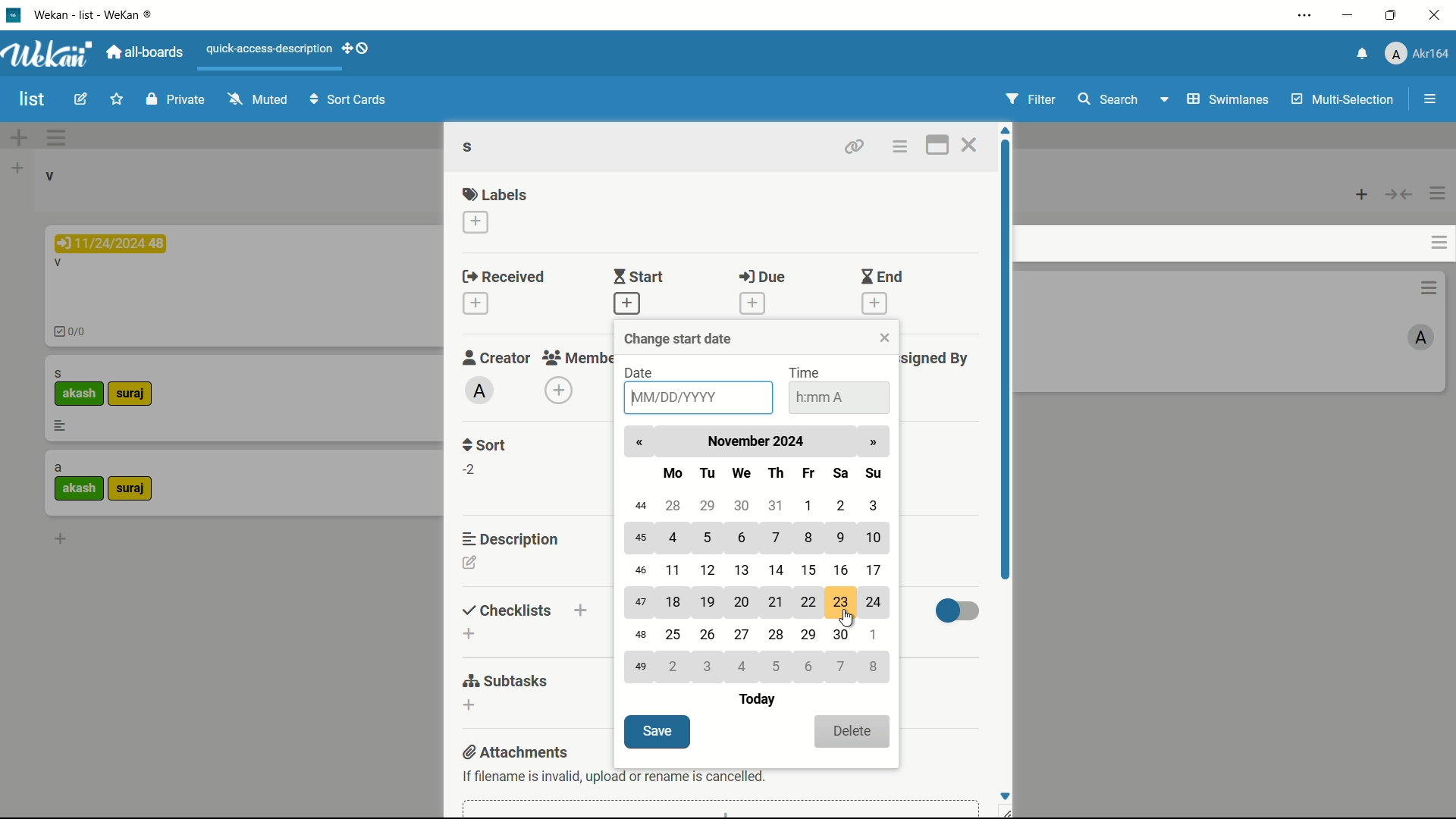  I want to click on labels, so click(495, 194).